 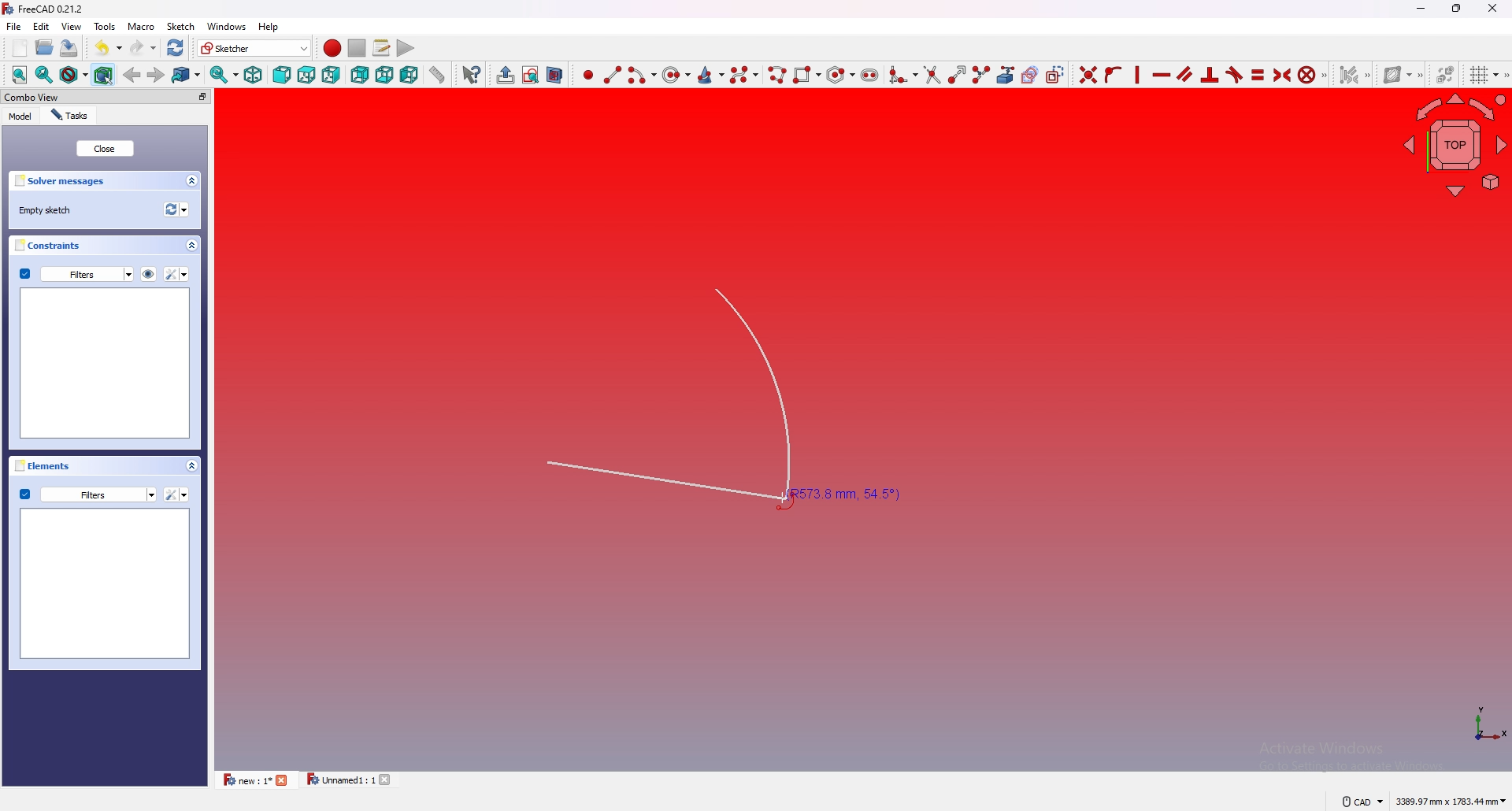 I want to click on record macro, so click(x=332, y=49).